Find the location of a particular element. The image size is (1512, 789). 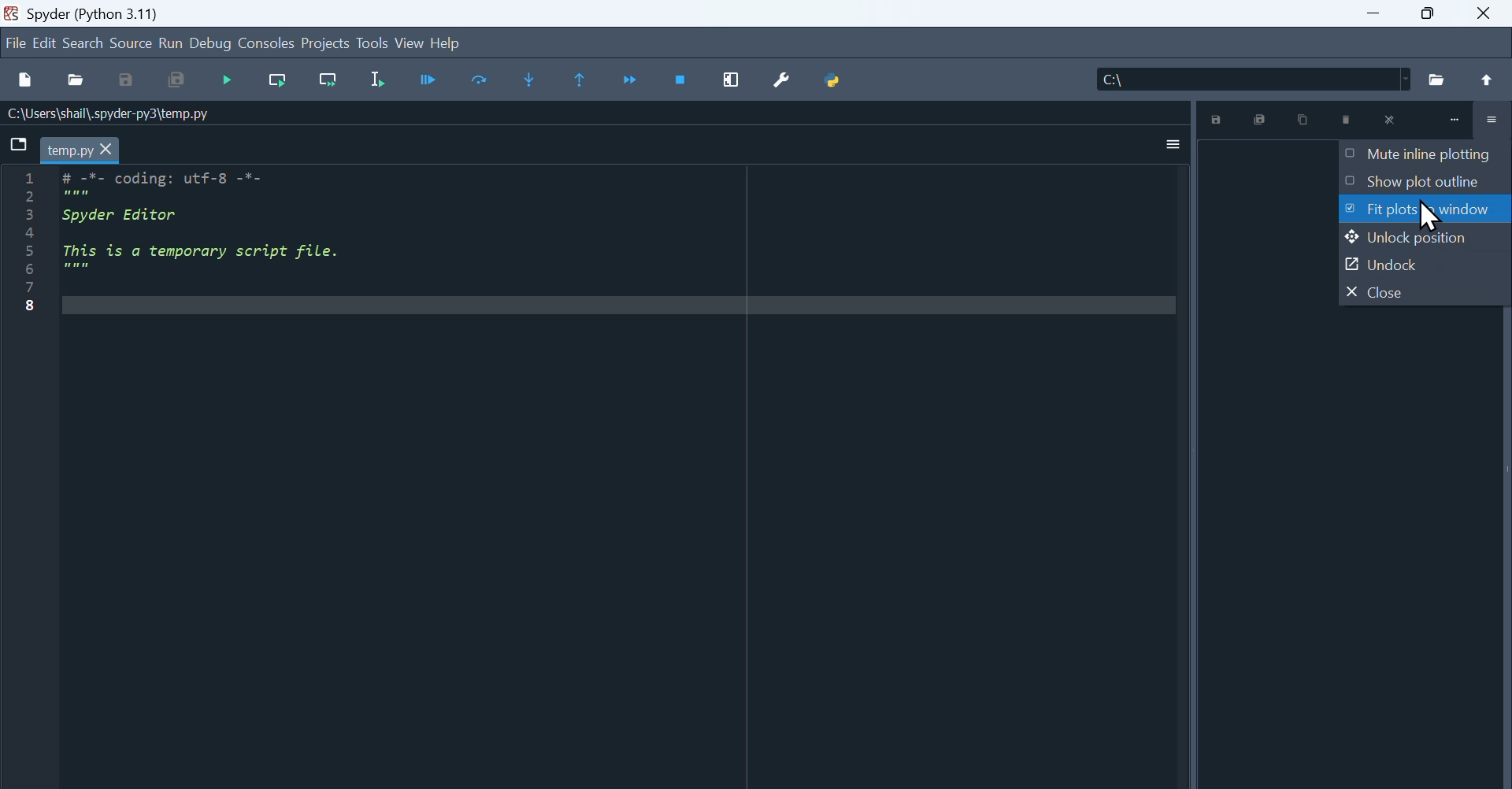

current file tab is located at coordinates (80, 149).